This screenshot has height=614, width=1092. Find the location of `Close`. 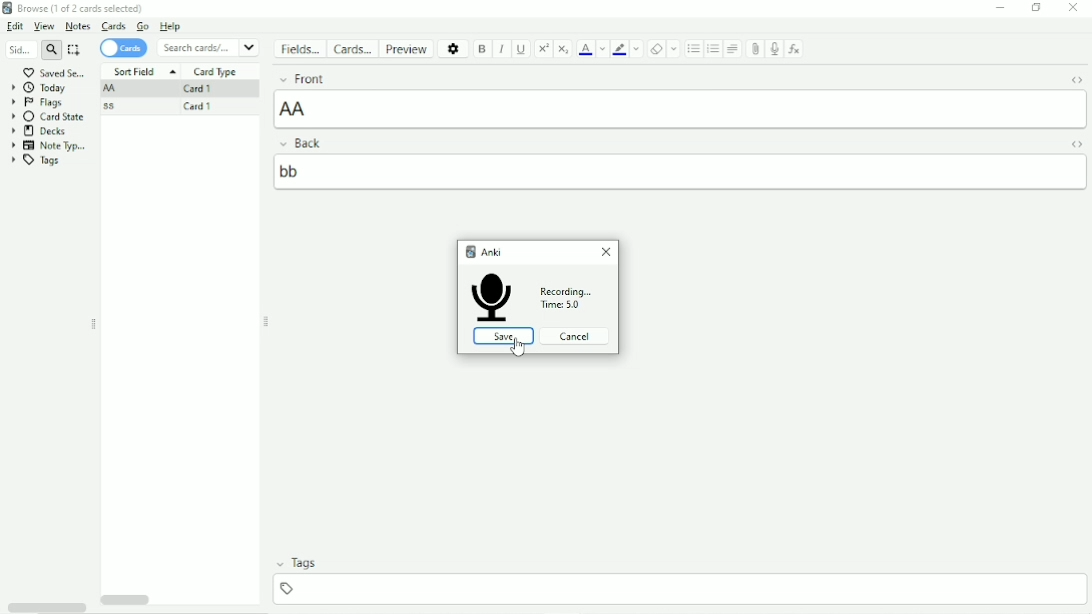

Close is located at coordinates (606, 255).